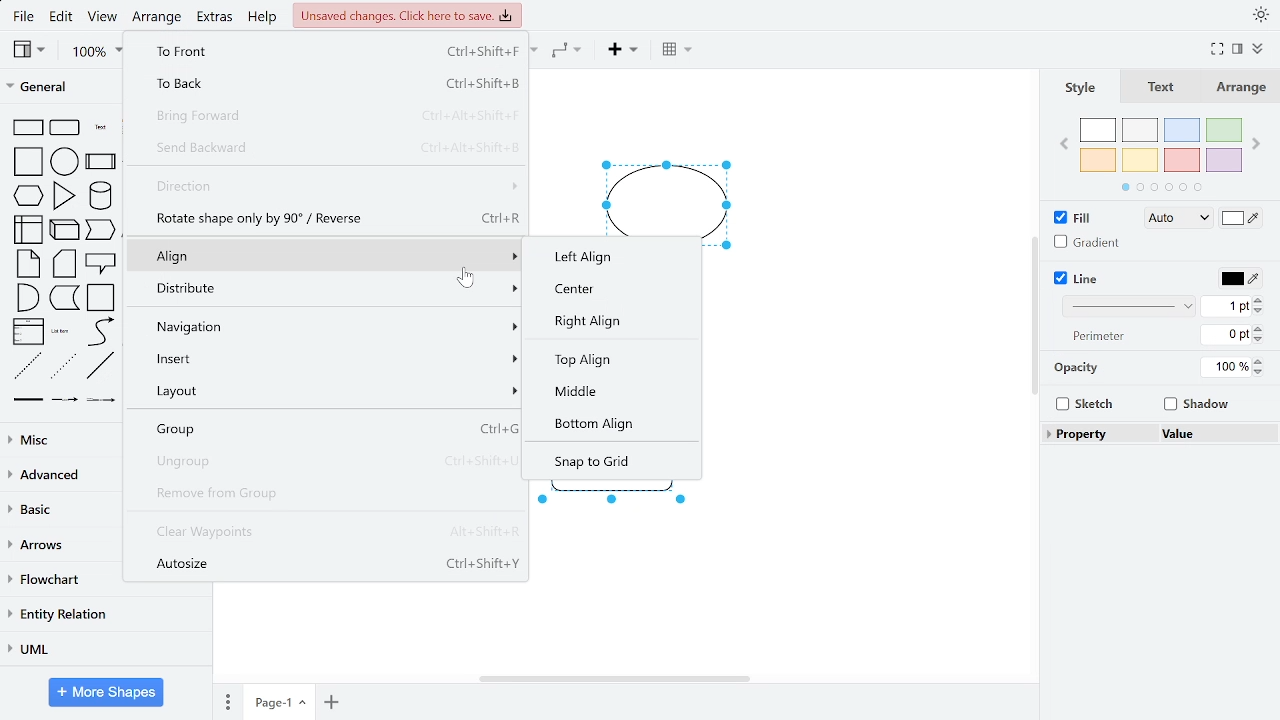  Describe the element at coordinates (1162, 189) in the screenshot. I see `pages in colors` at that location.